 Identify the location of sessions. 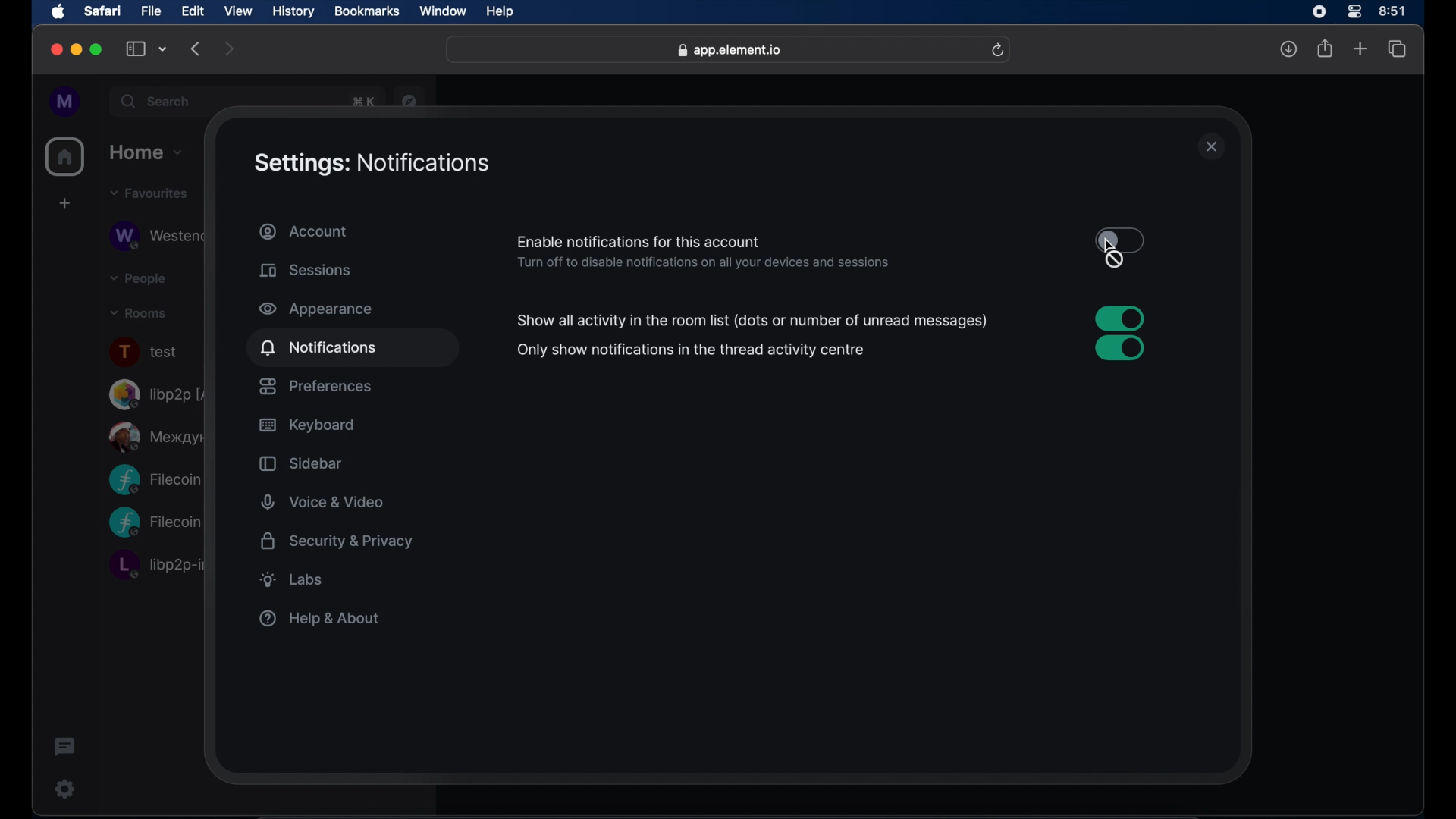
(305, 270).